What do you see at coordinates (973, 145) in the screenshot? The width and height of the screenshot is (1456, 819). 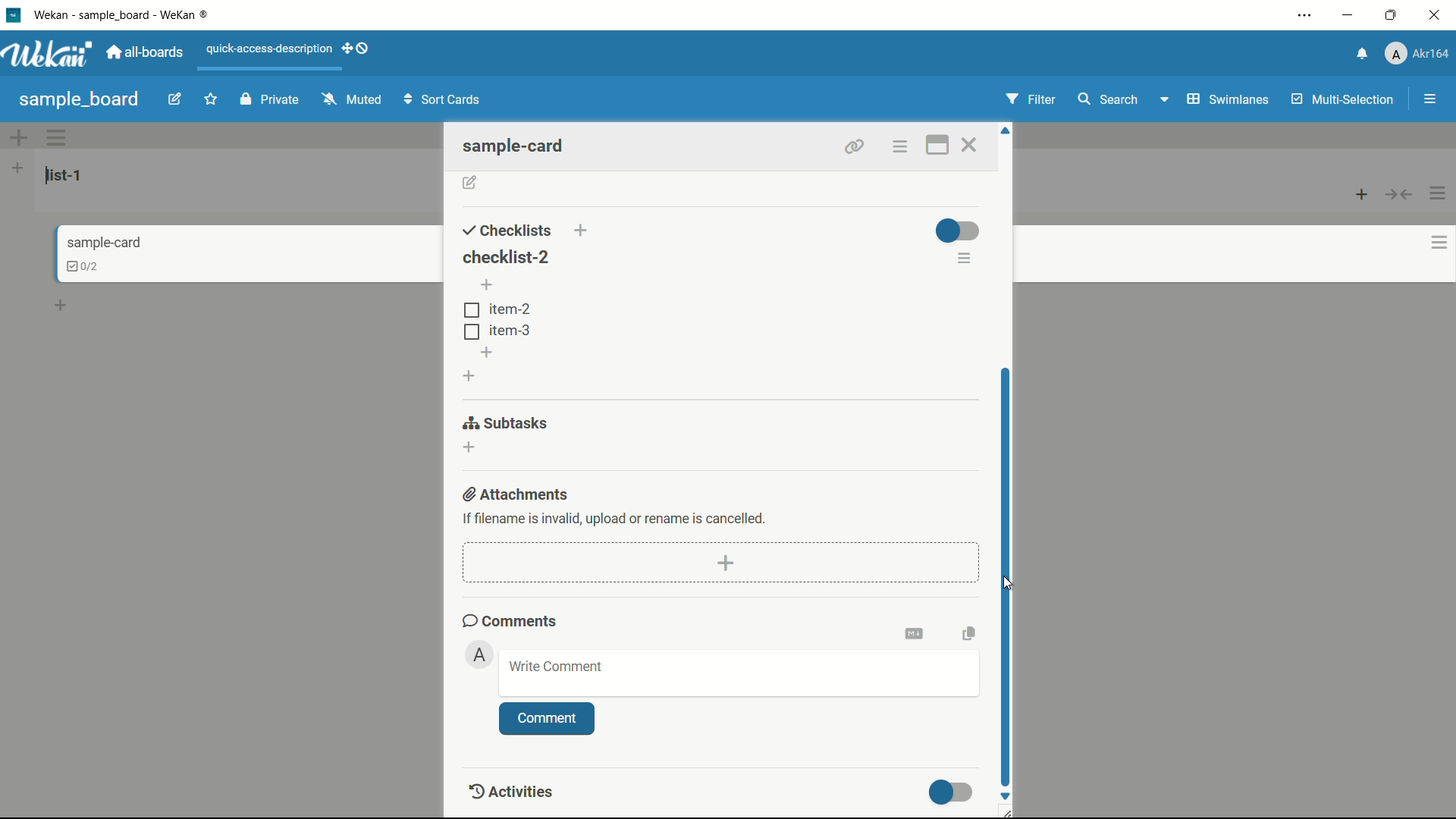 I see `close card` at bounding box center [973, 145].